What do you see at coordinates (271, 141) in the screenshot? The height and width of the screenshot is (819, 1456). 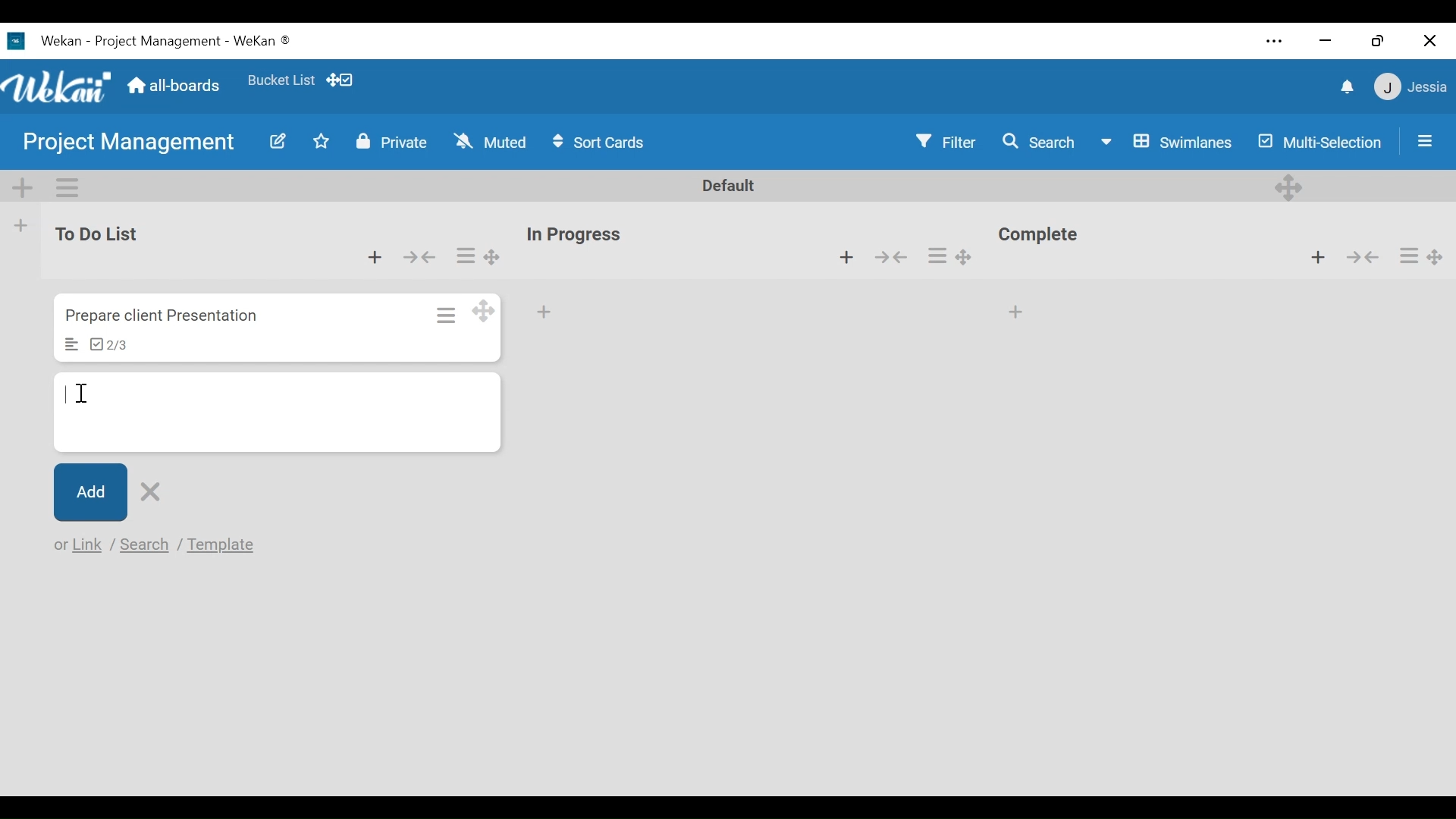 I see `Edit` at bounding box center [271, 141].